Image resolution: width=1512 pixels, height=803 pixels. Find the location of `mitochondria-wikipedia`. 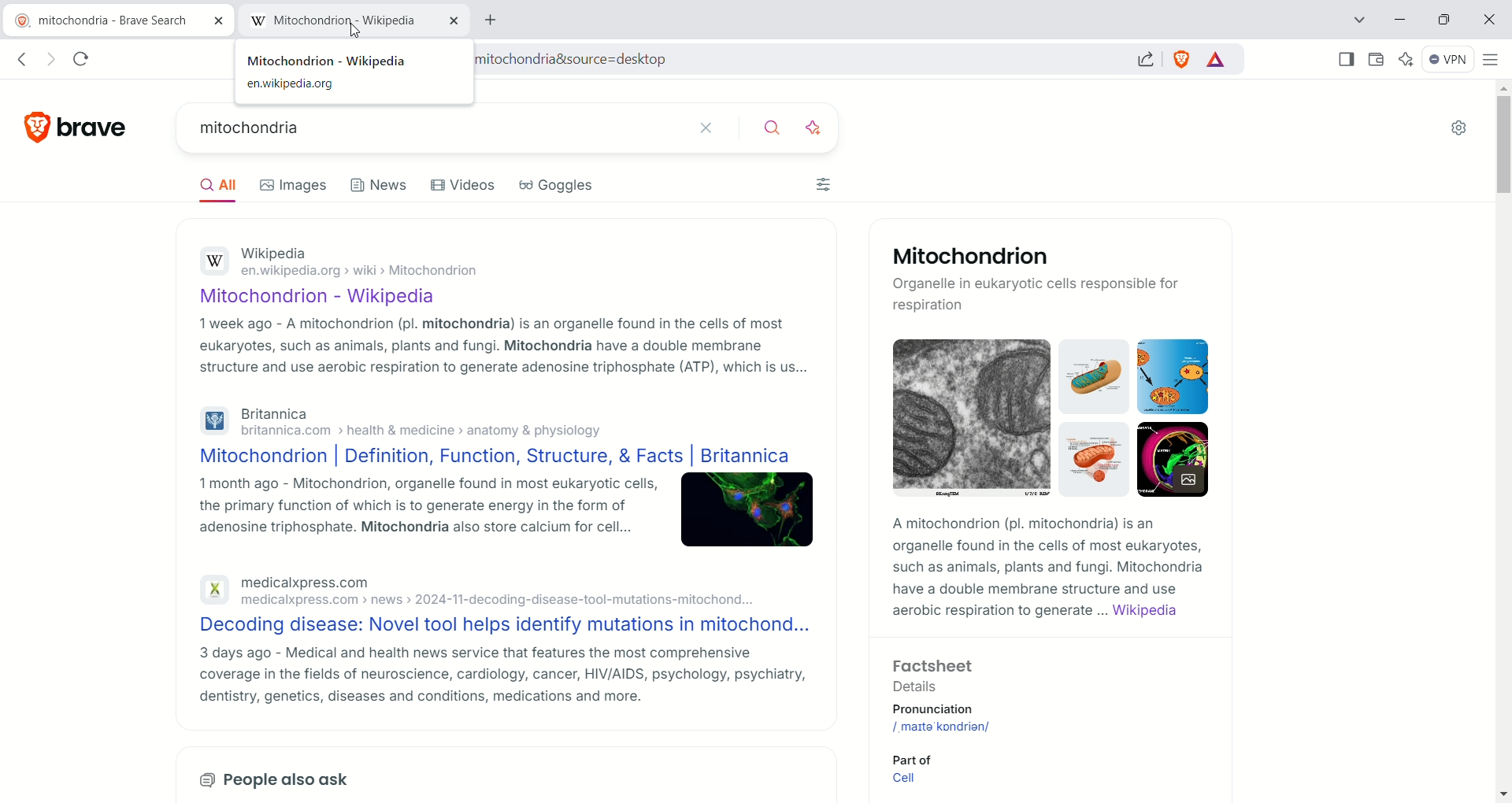

mitochondria-wikipedia is located at coordinates (356, 60).